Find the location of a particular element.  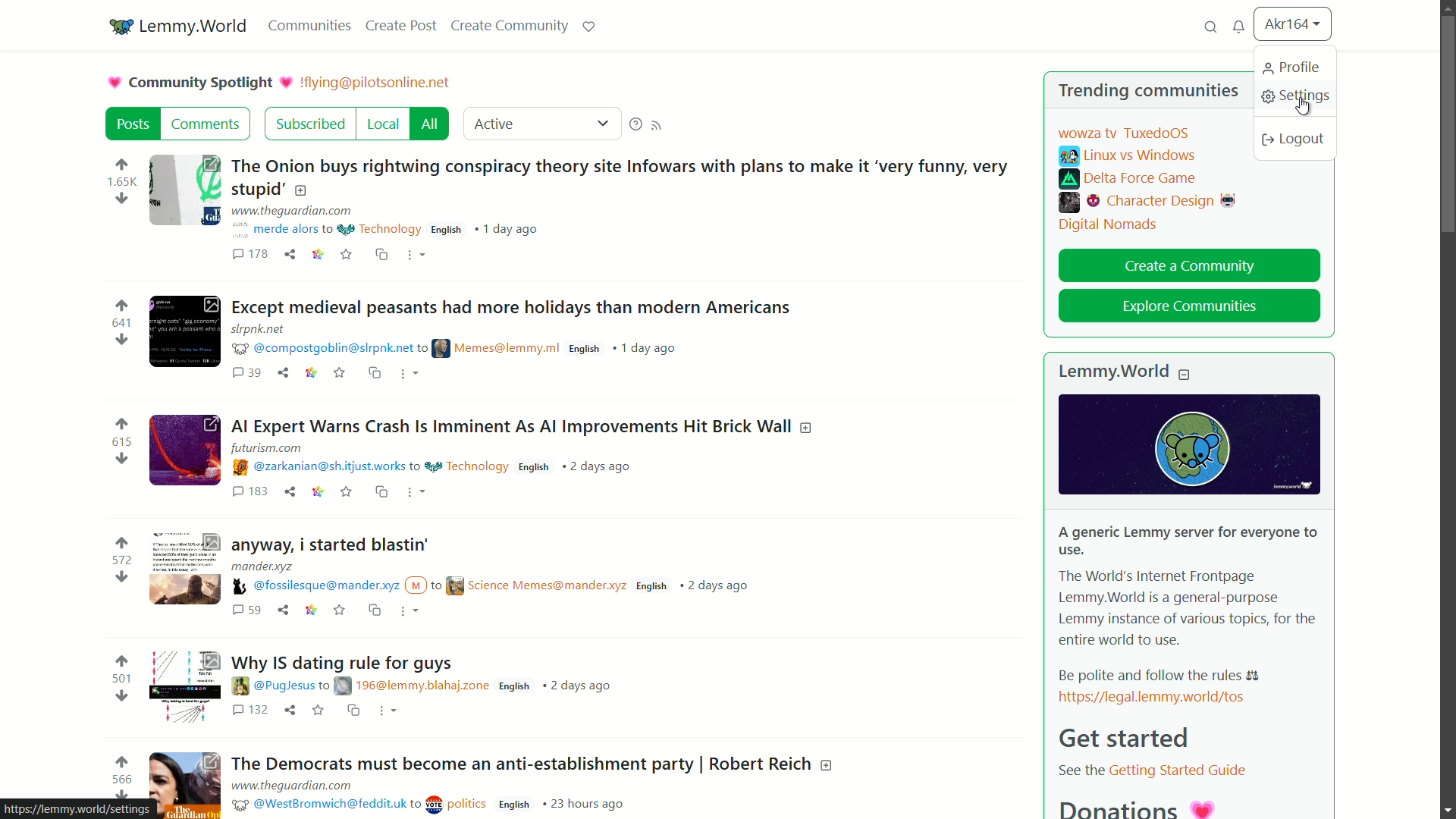

comments is located at coordinates (246, 611).